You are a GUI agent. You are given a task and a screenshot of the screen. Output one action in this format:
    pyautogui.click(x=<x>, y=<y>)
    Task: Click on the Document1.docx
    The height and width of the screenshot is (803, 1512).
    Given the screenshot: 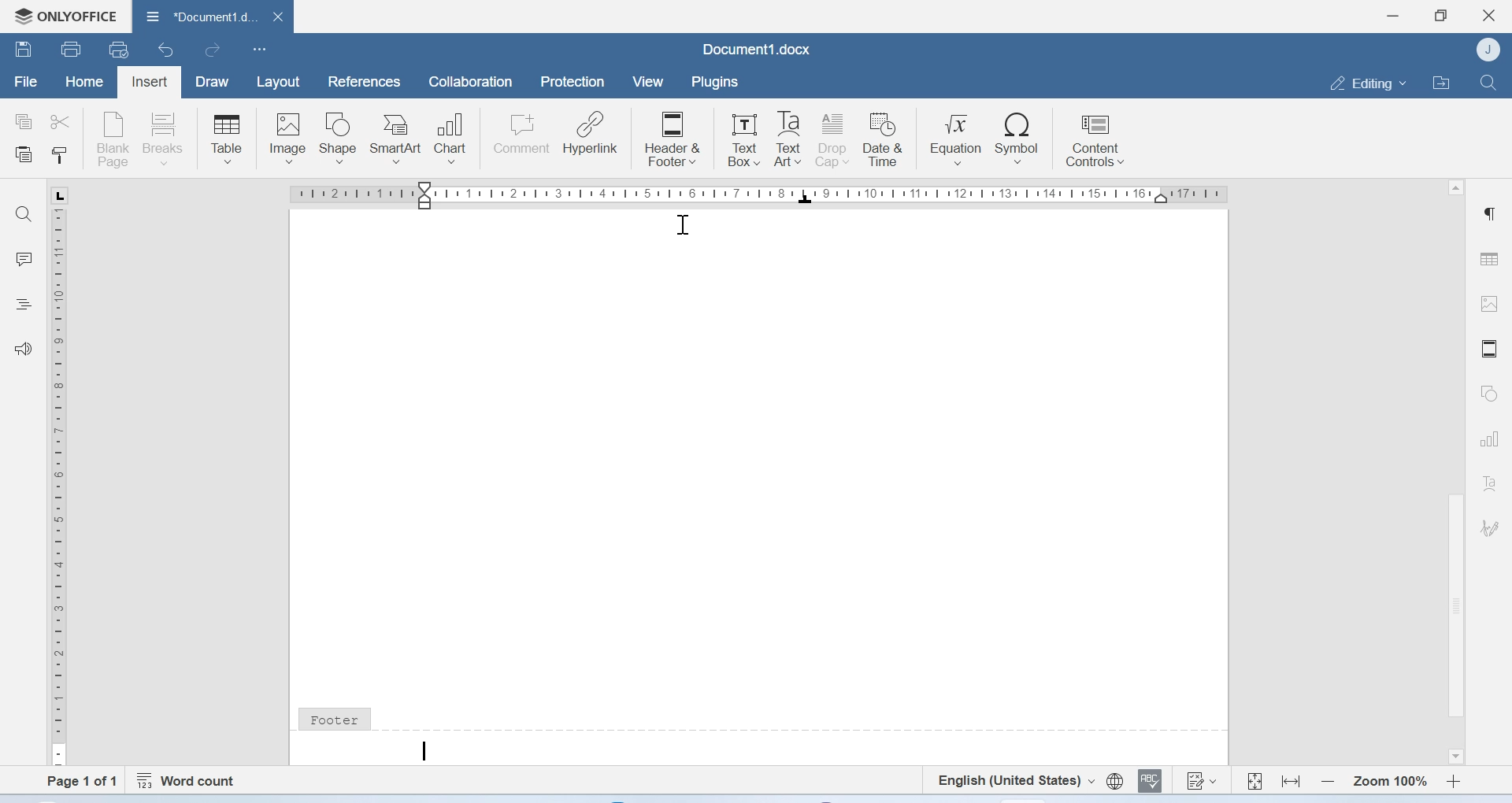 What is the action you would take?
    pyautogui.click(x=756, y=49)
    